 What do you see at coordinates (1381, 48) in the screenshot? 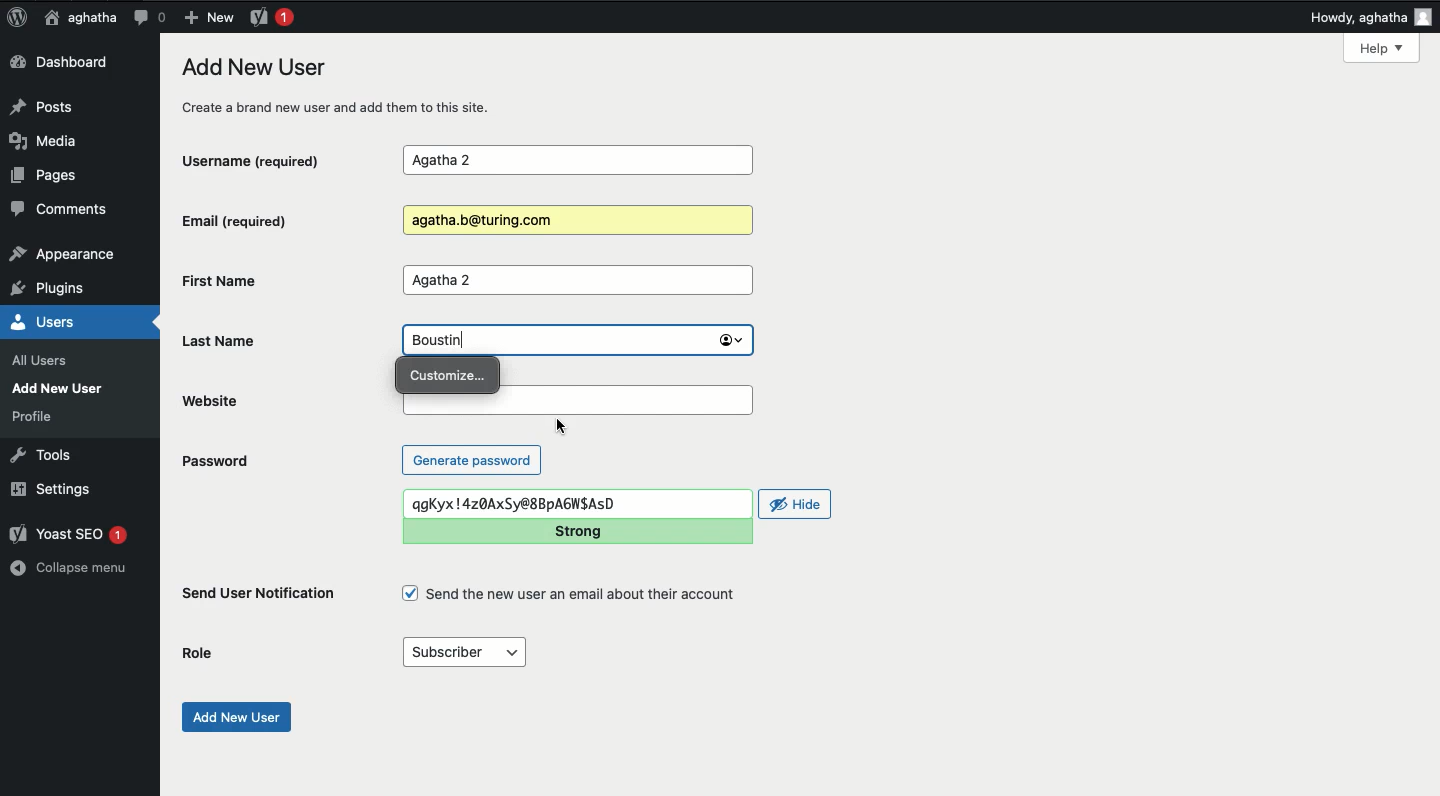
I see `Help` at bounding box center [1381, 48].